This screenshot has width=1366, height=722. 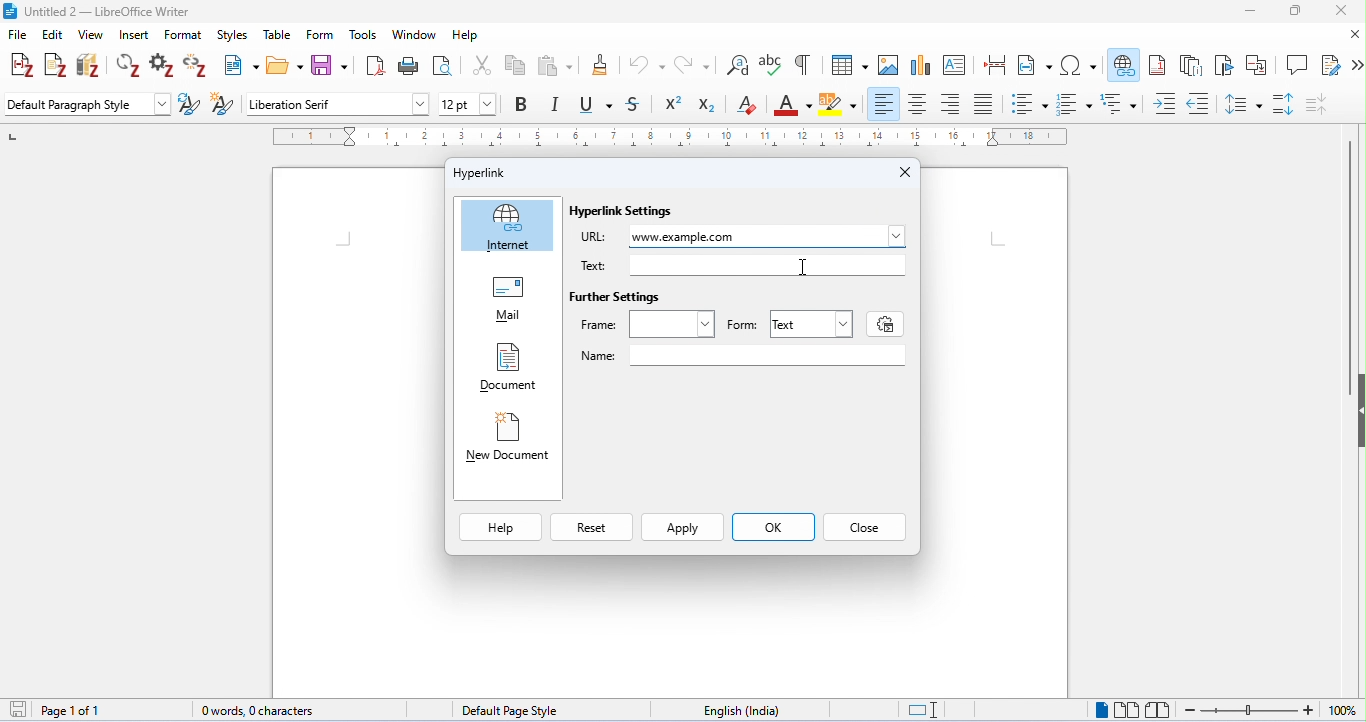 I want to click on window, so click(x=414, y=35).